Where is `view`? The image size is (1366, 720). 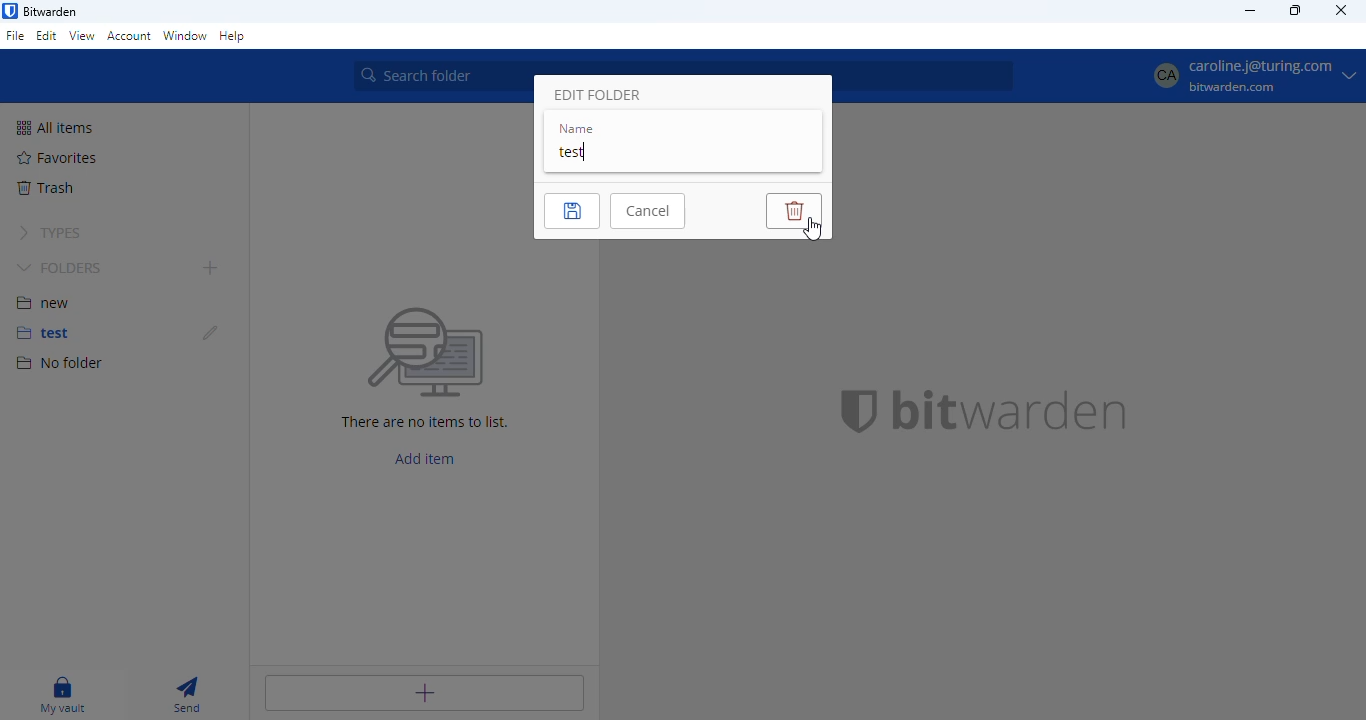
view is located at coordinates (82, 36).